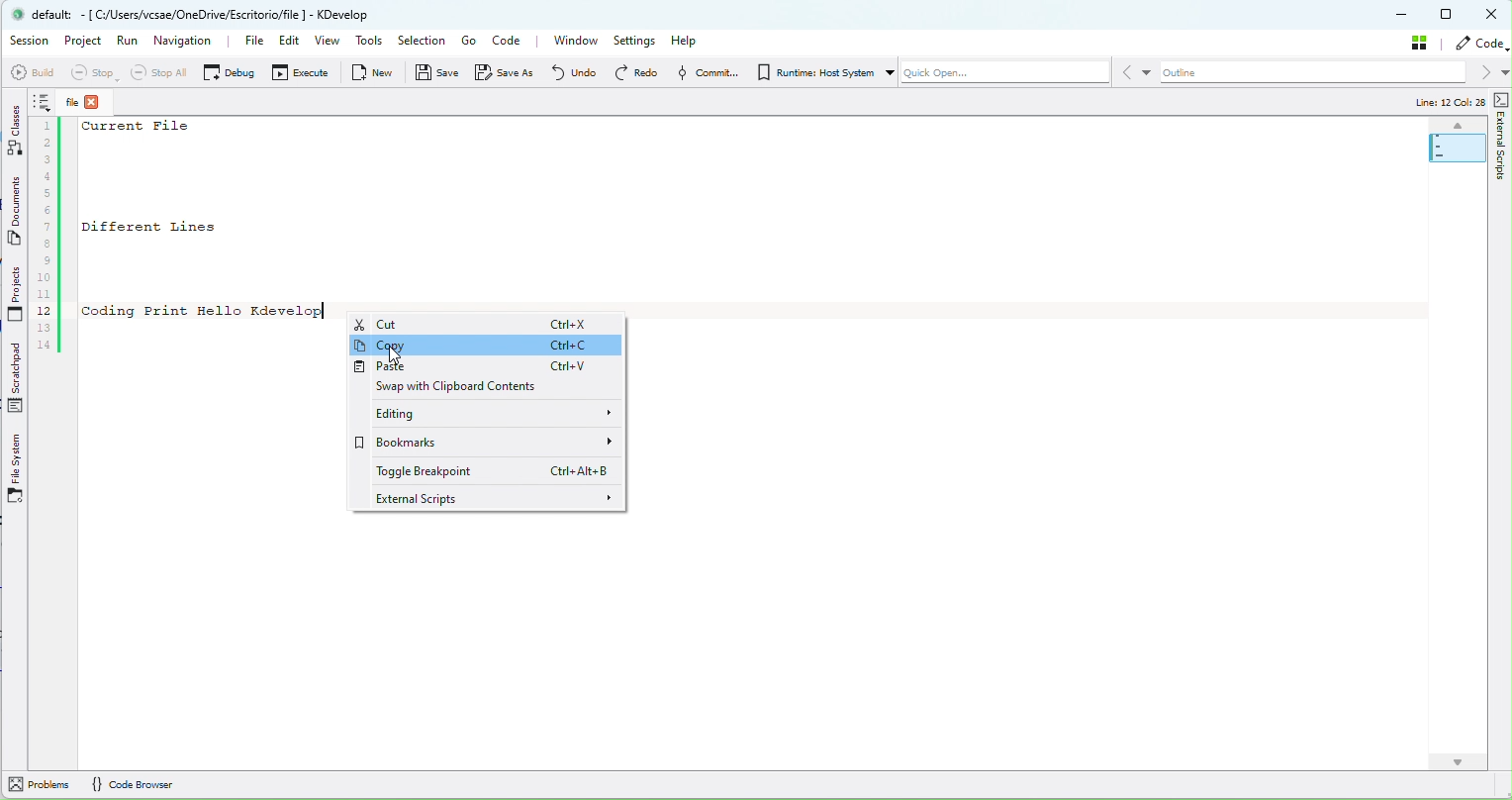 The image size is (1512, 800). I want to click on Build, so click(31, 72).